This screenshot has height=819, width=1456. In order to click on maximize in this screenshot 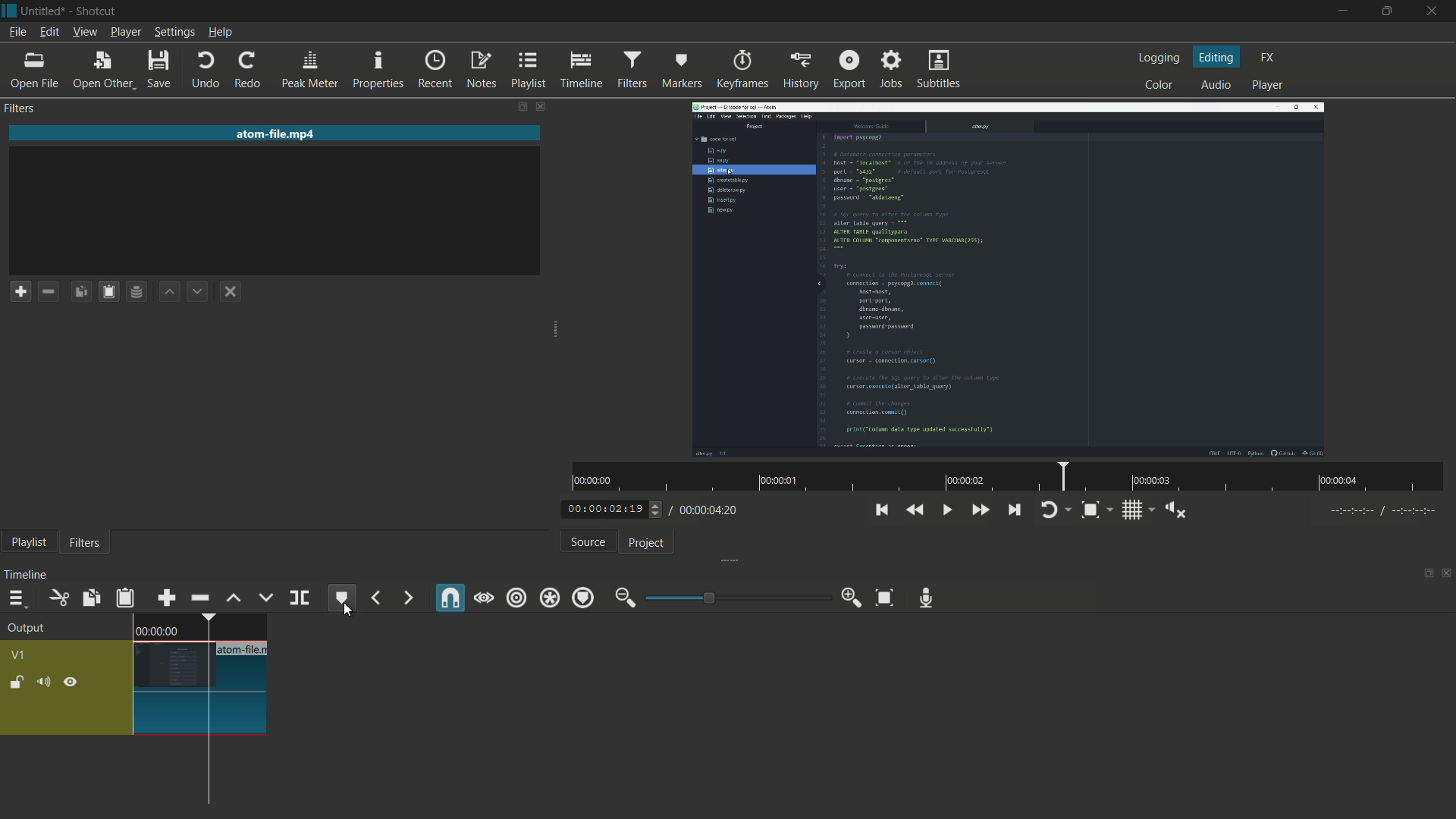, I will do `click(1385, 11)`.